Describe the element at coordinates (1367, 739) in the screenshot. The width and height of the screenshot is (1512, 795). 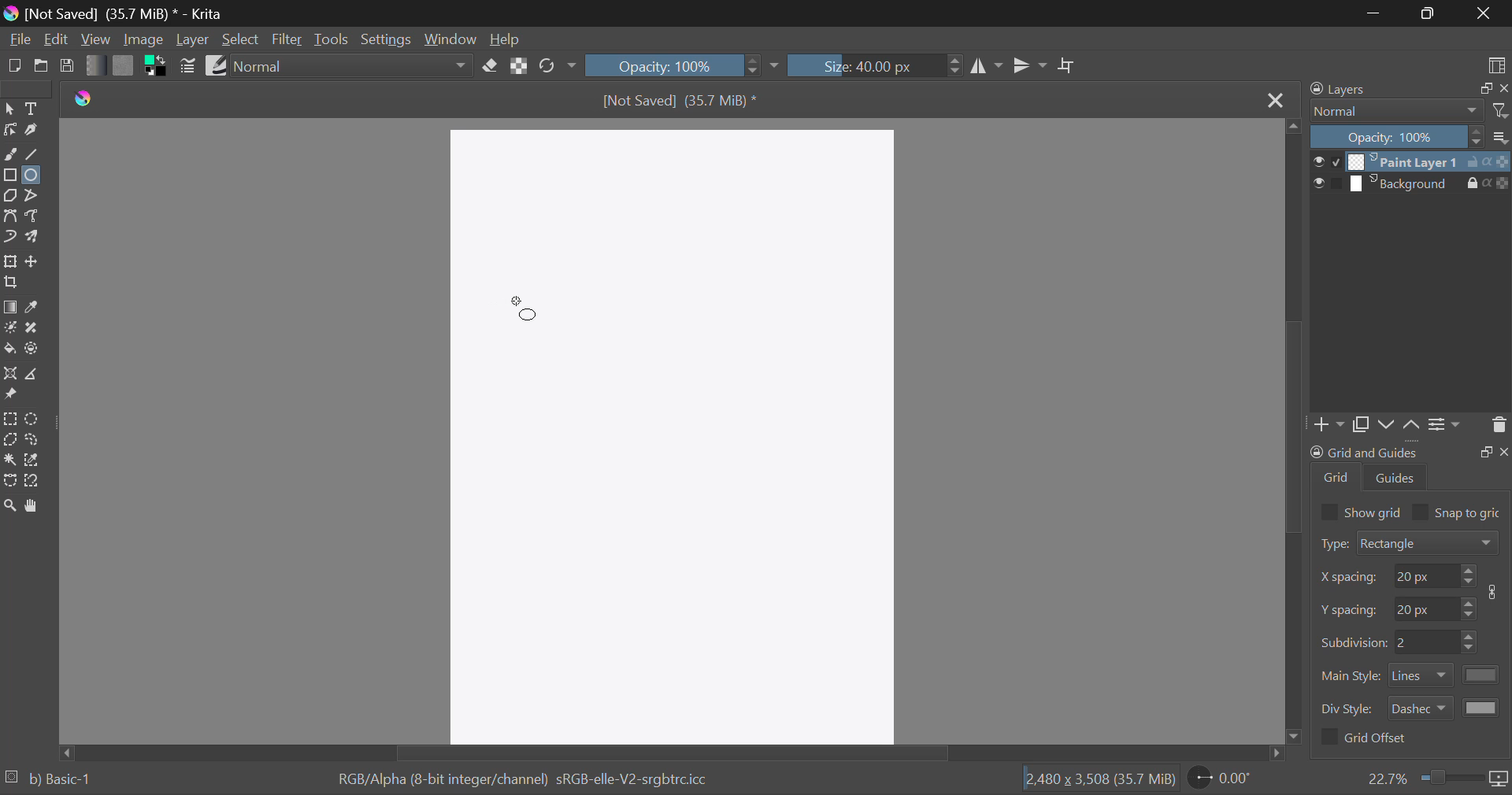
I see `Grid Offset` at that location.